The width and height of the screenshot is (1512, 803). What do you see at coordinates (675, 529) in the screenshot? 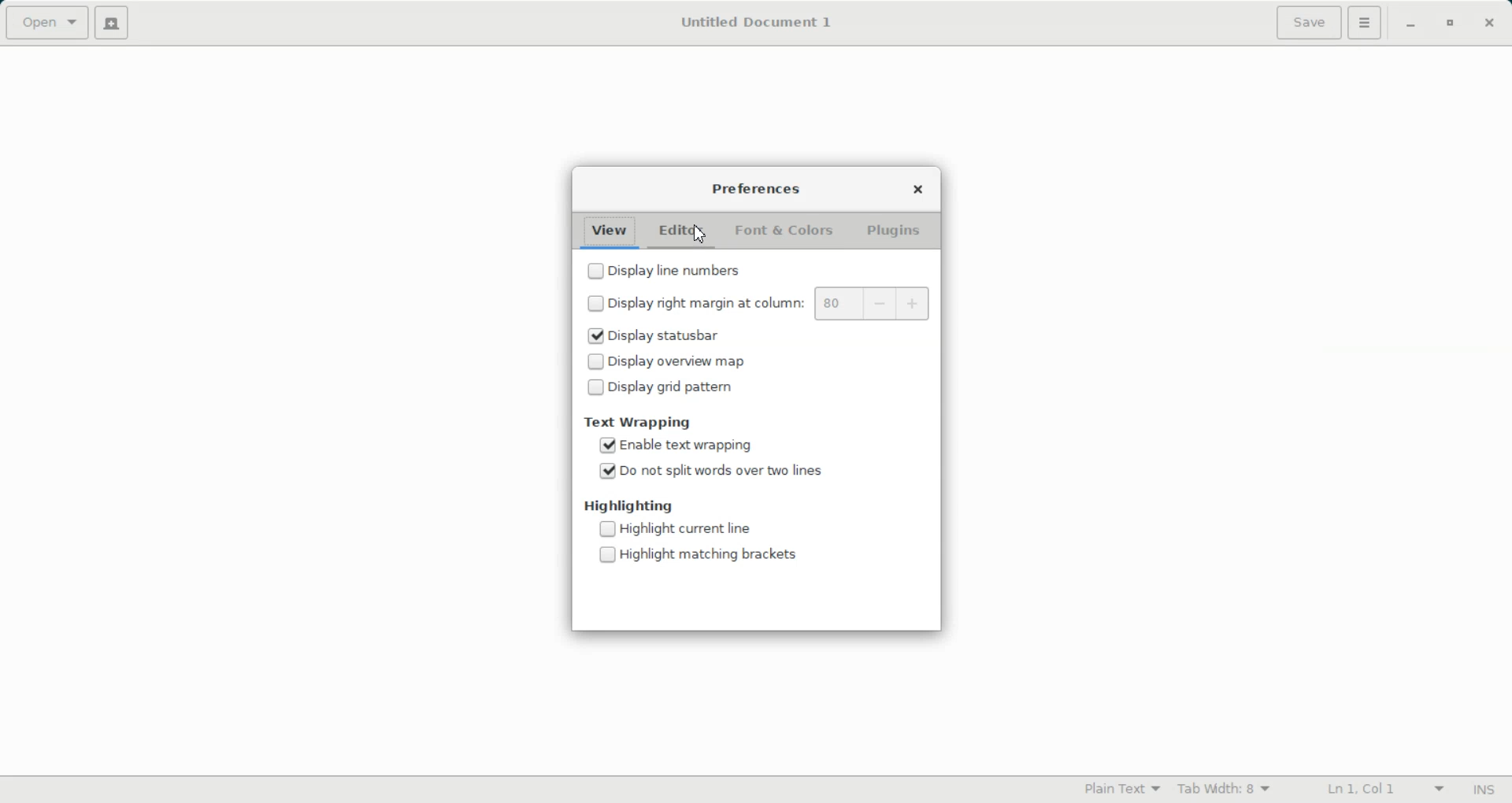
I see `Disable Highlight current line` at bounding box center [675, 529].